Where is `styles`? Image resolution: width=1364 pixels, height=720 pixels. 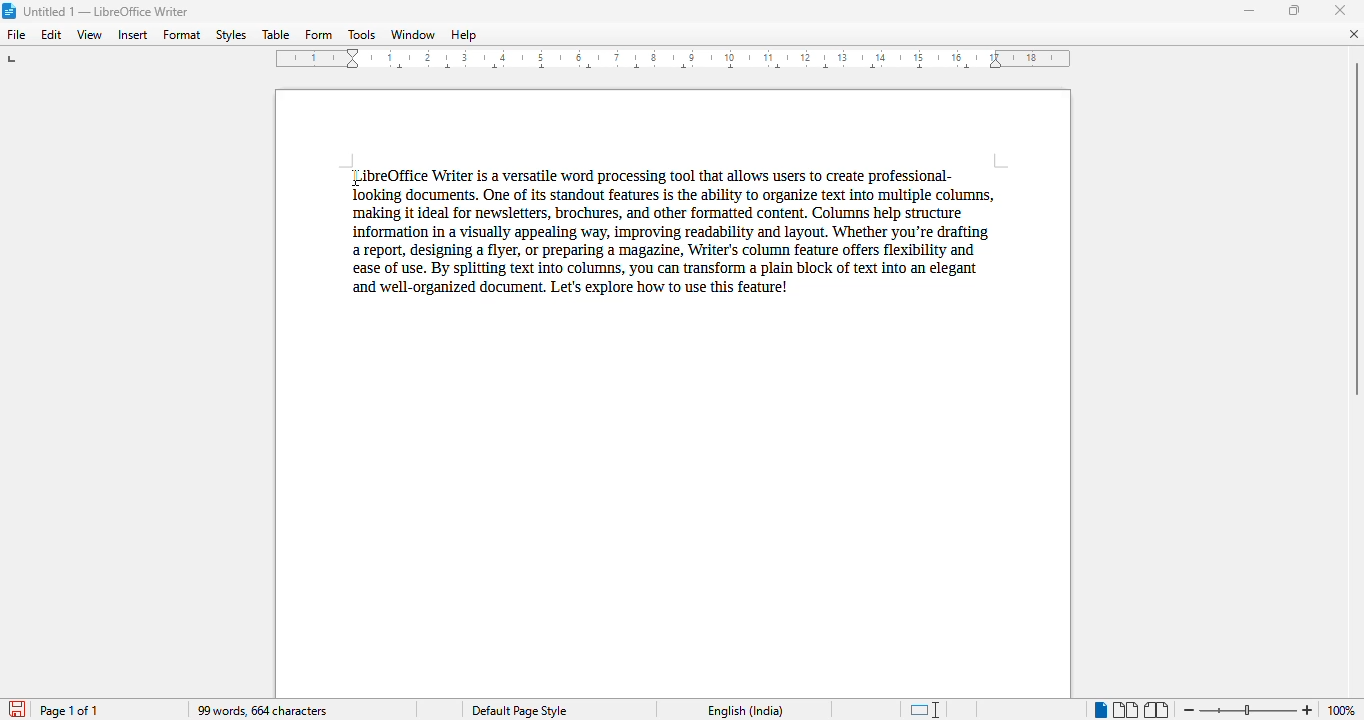
styles is located at coordinates (230, 34).